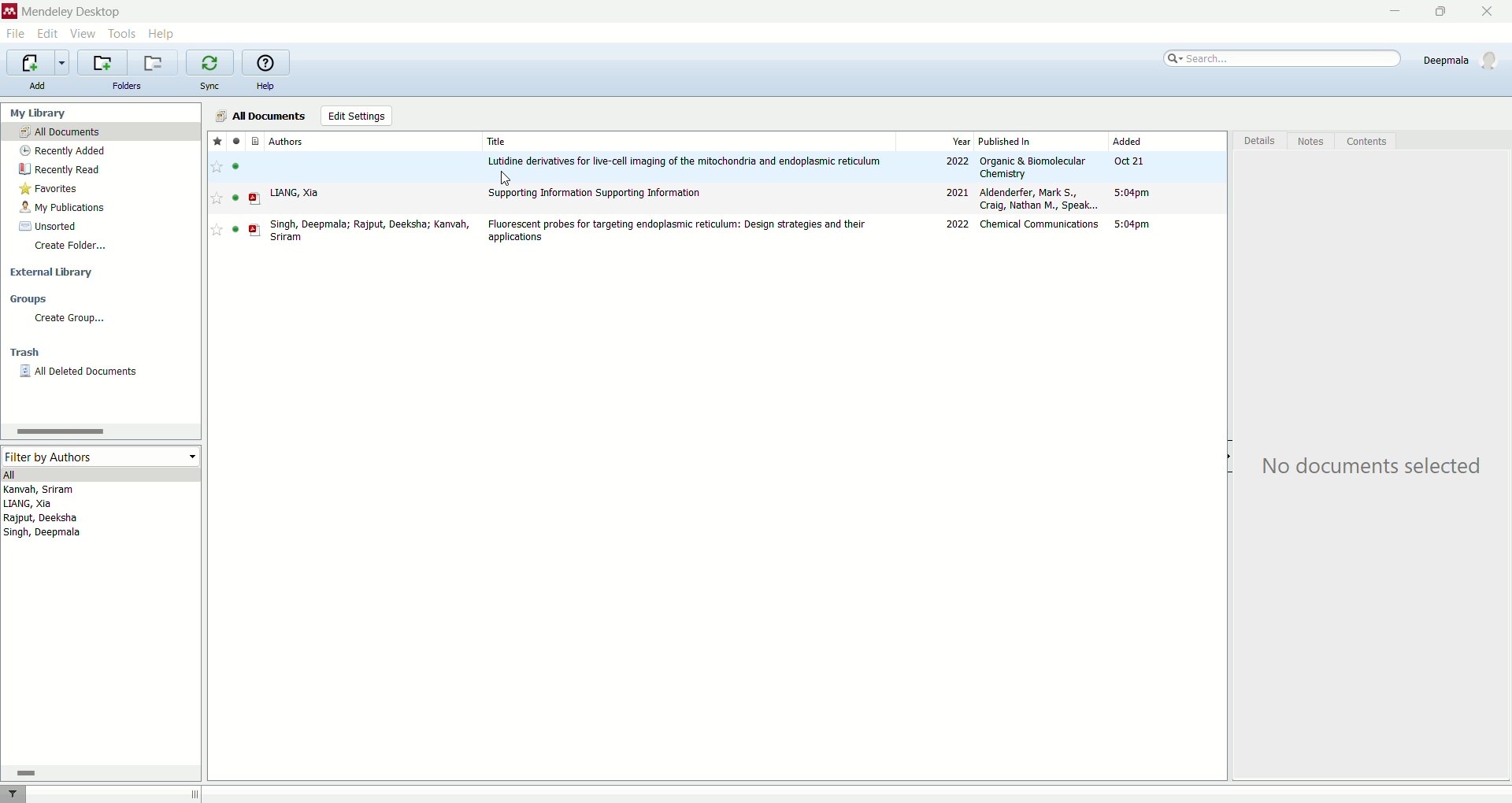 The height and width of the screenshot is (803, 1512). What do you see at coordinates (50, 191) in the screenshot?
I see `favorites` at bounding box center [50, 191].